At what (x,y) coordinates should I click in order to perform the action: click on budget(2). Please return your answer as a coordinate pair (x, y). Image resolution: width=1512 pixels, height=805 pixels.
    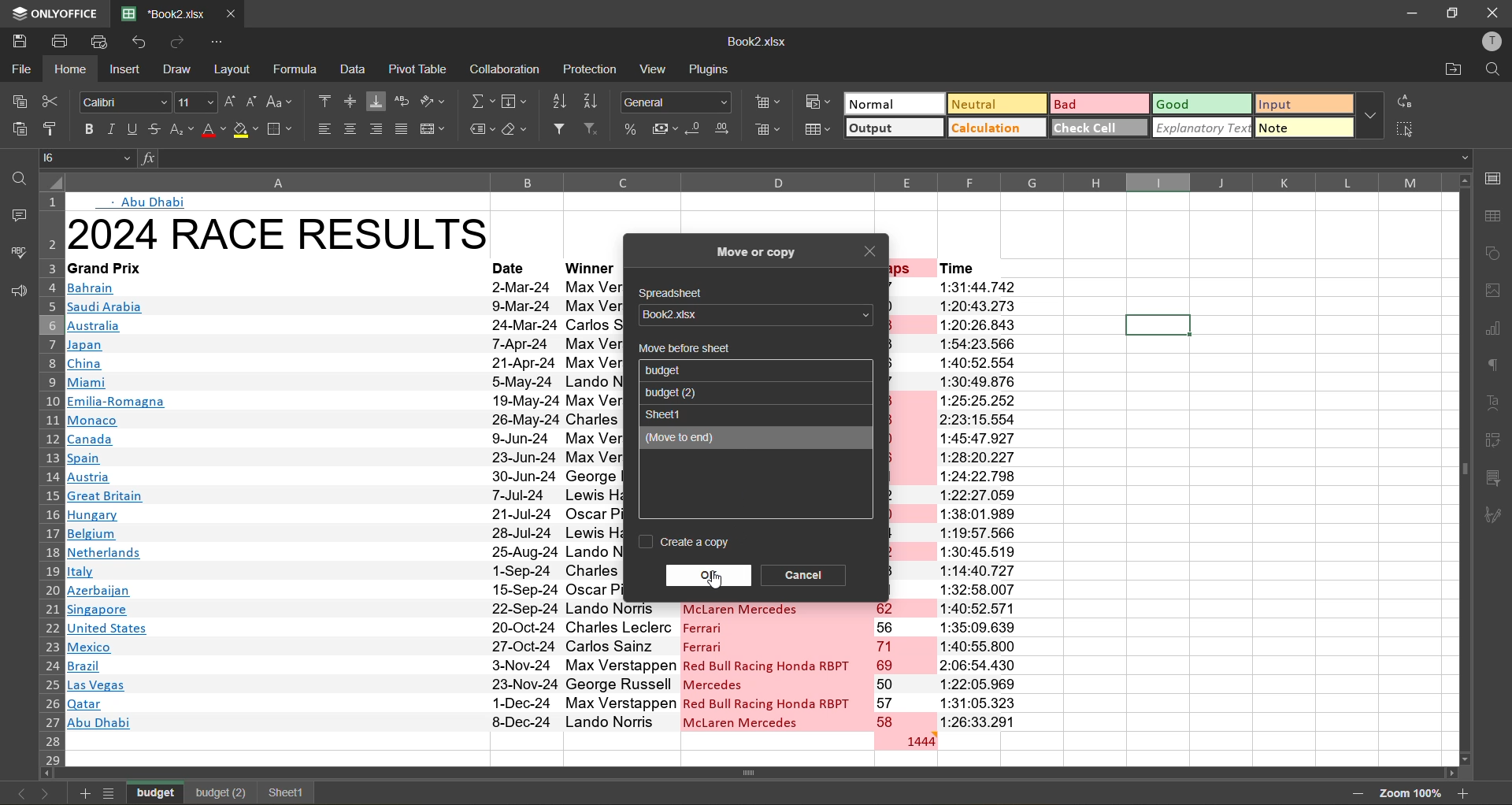
    Looking at the image, I should click on (220, 793).